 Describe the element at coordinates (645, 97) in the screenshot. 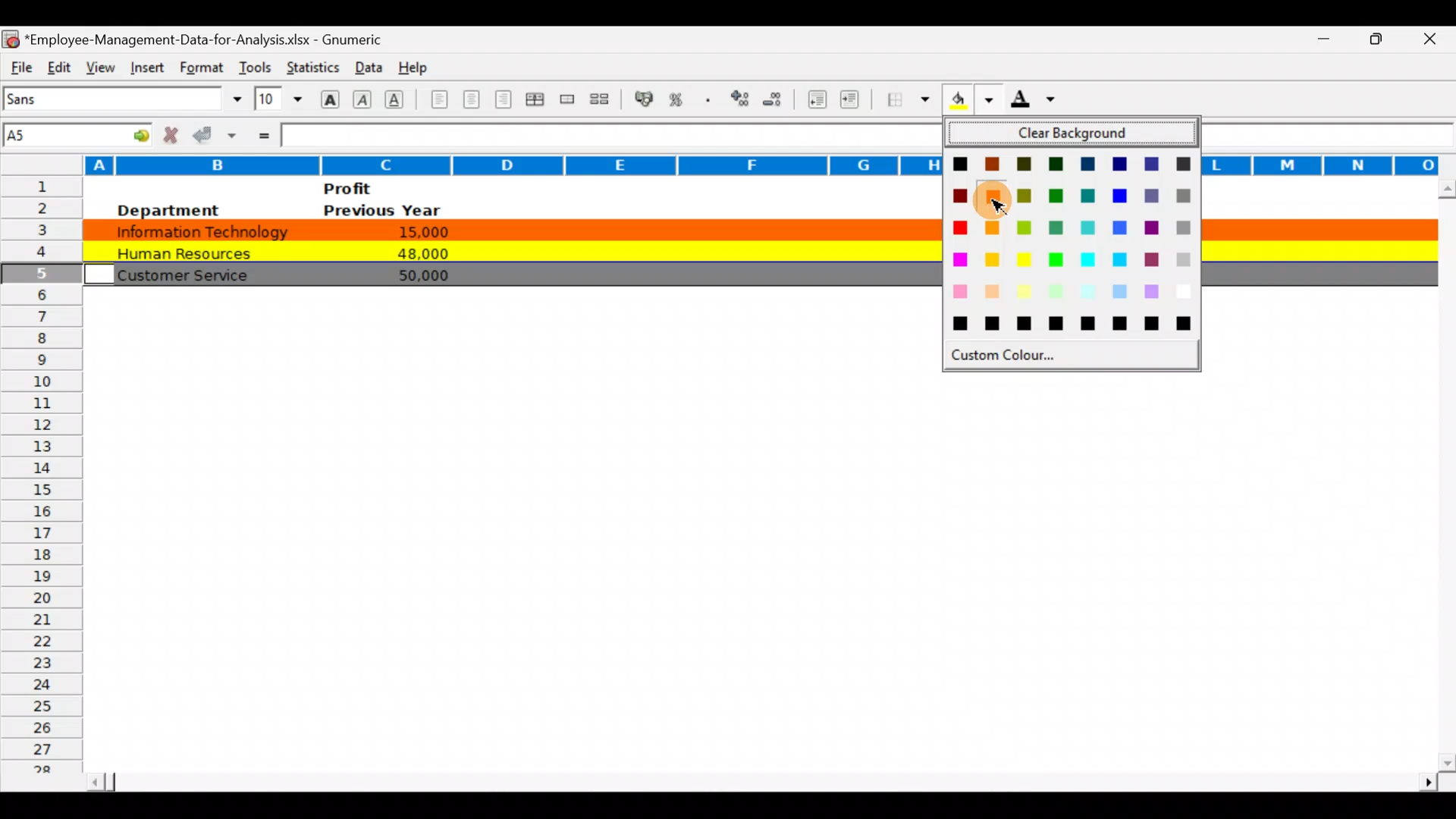

I see `Format selection as accounting` at that location.